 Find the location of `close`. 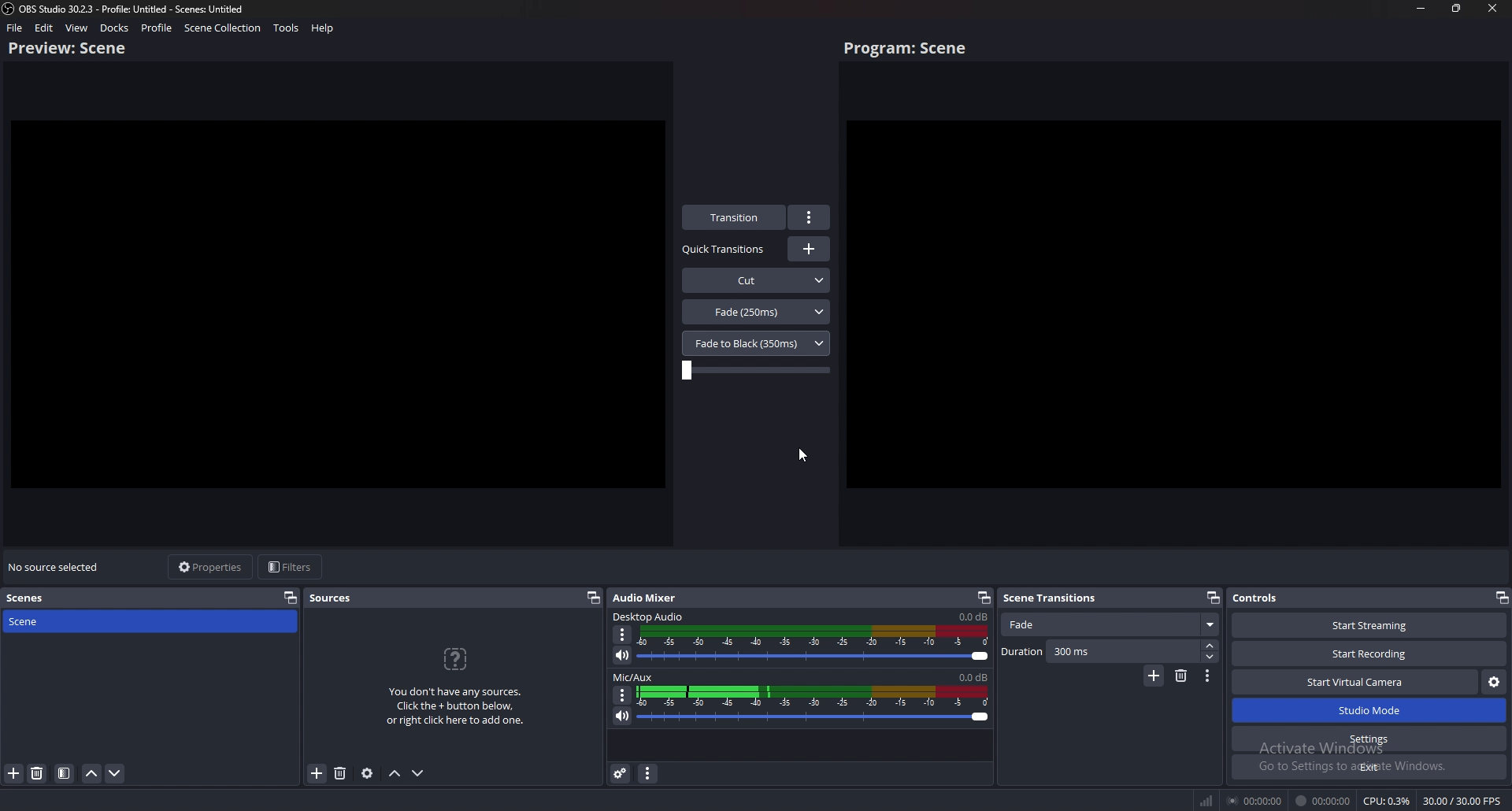

close is located at coordinates (1492, 8).